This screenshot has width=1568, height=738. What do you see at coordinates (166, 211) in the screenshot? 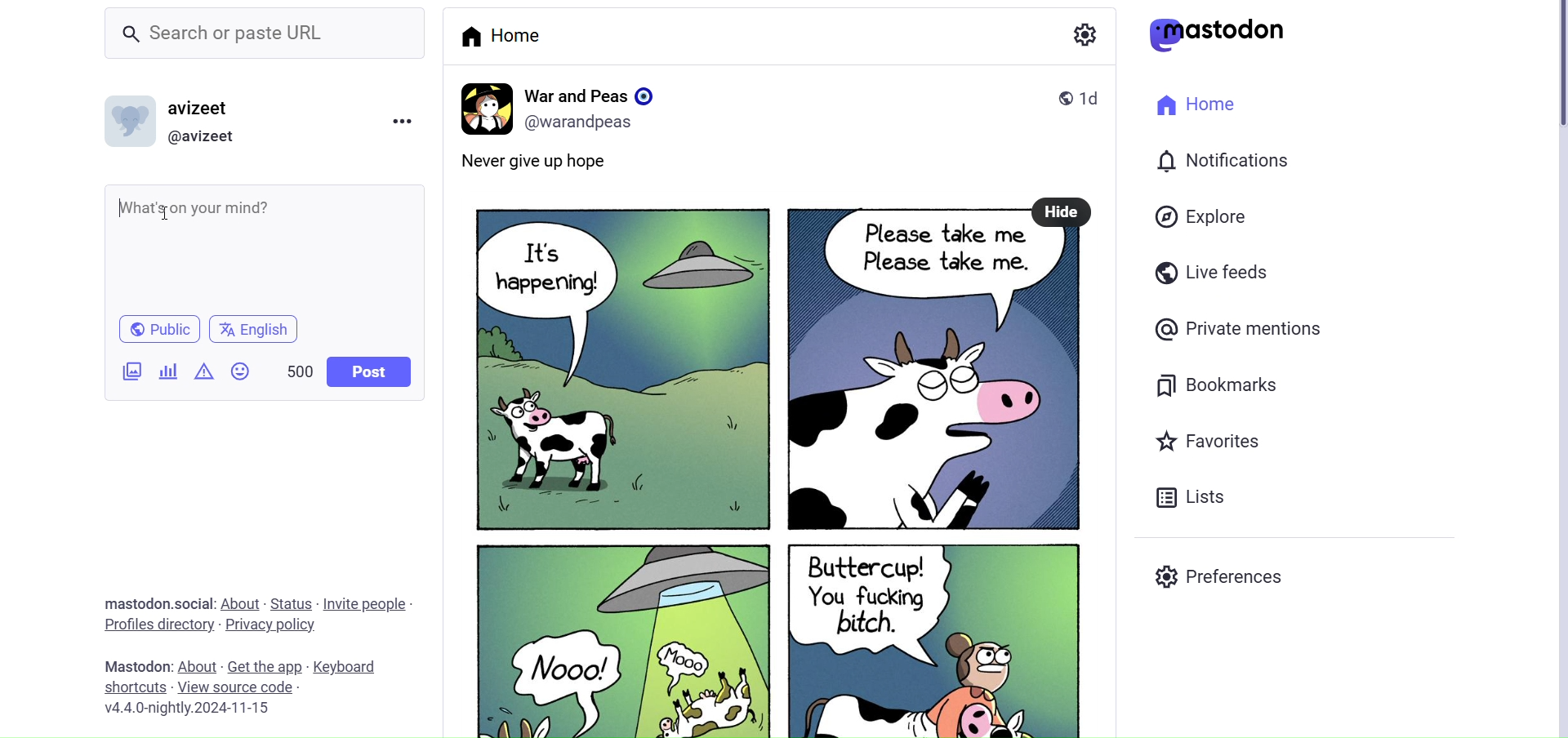
I see `cursor` at bounding box center [166, 211].